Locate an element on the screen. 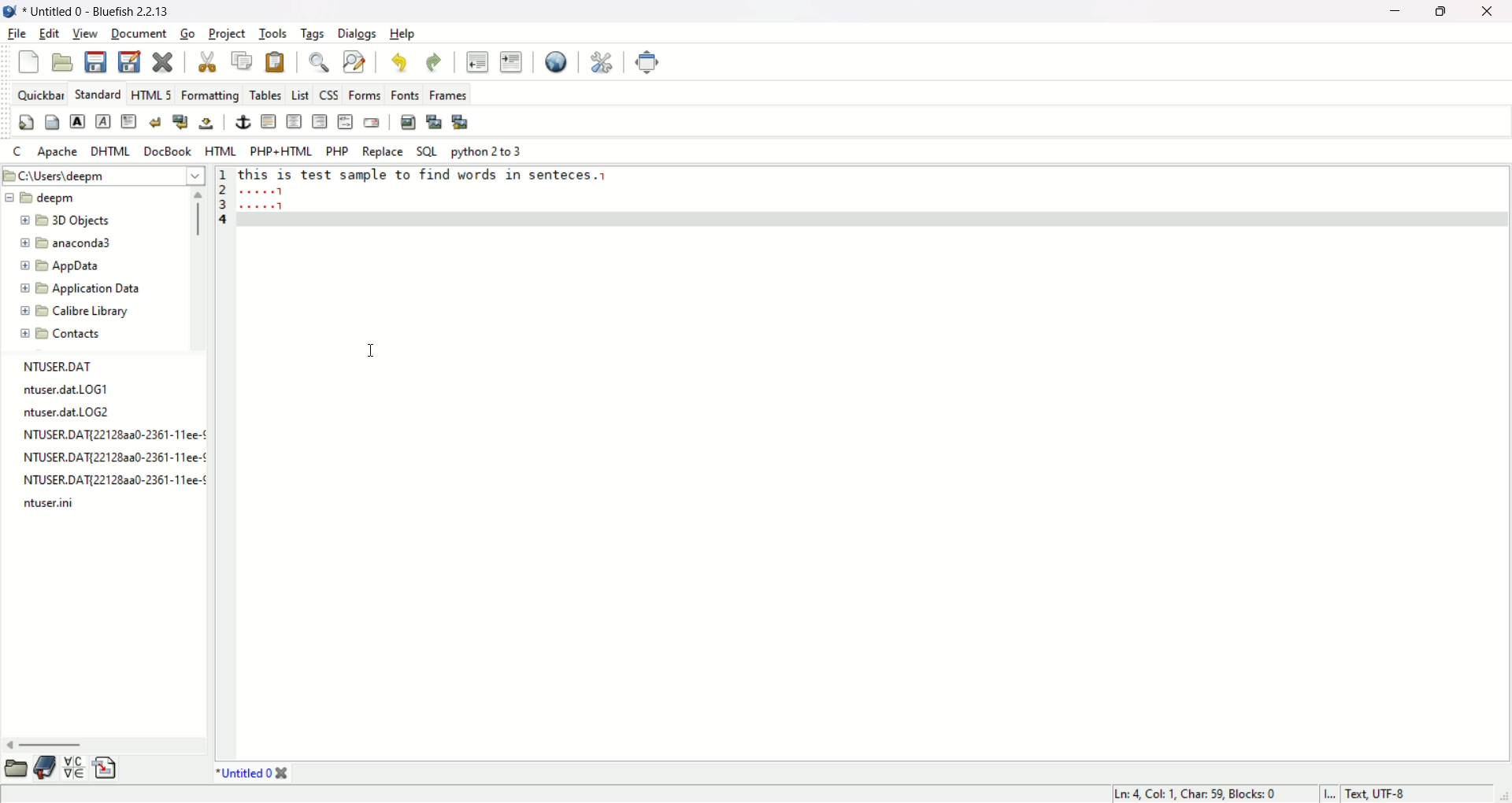 This screenshot has width=1512, height=803. standard is located at coordinates (98, 94).